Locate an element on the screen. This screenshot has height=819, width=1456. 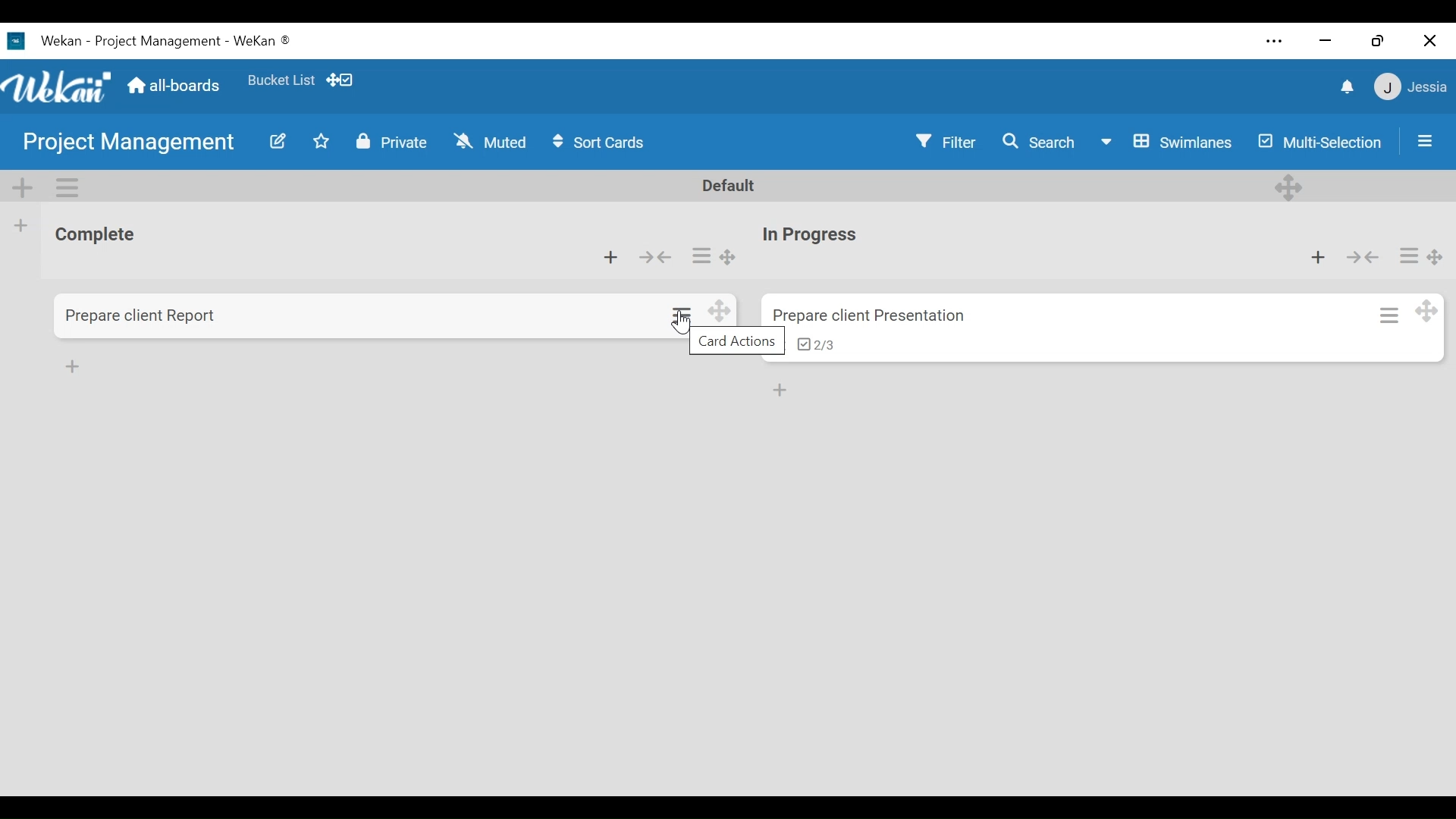
Board Title is located at coordinates (127, 143).